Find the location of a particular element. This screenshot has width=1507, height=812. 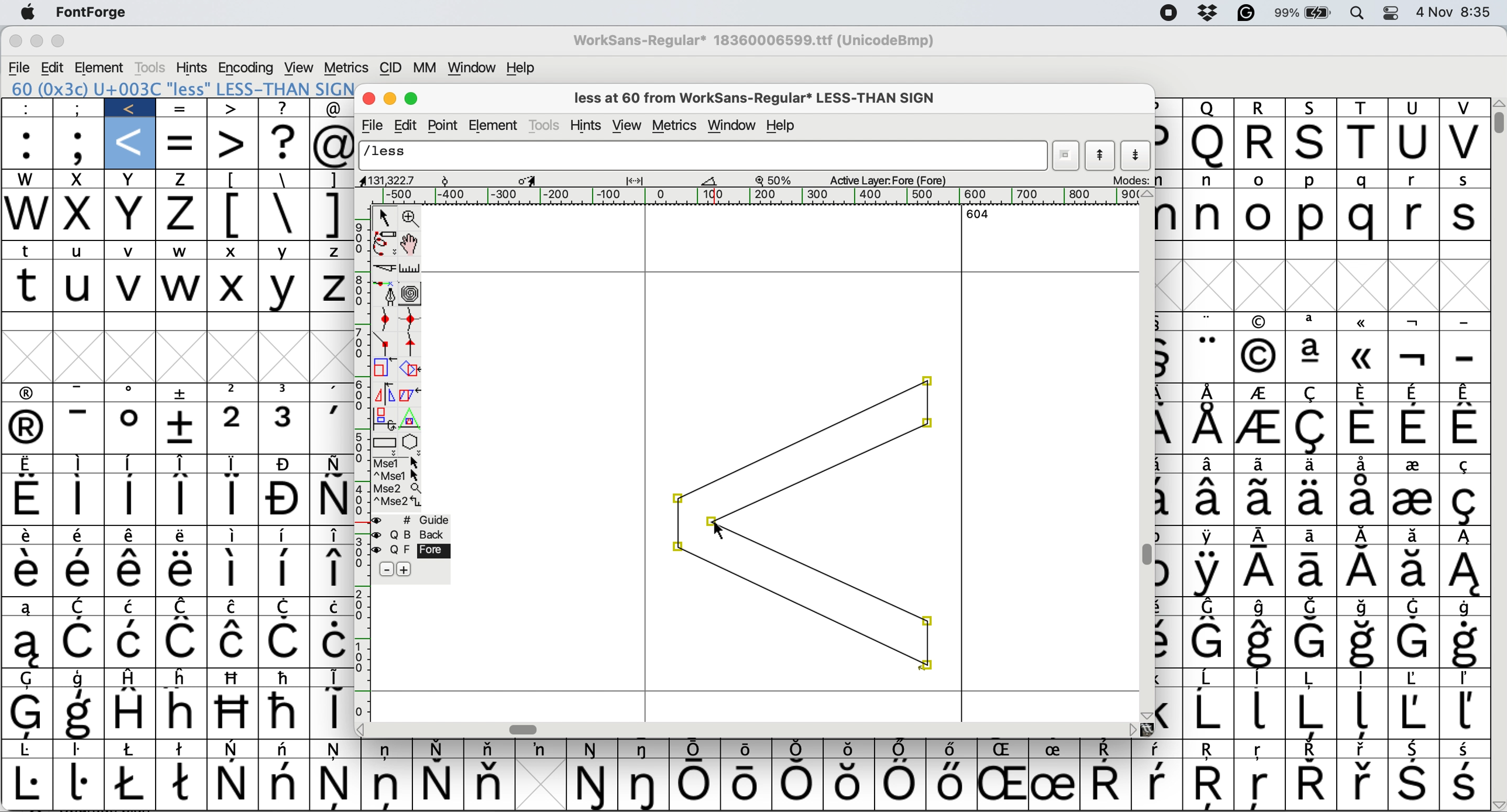

Symbol is located at coordinates (1210, 607).